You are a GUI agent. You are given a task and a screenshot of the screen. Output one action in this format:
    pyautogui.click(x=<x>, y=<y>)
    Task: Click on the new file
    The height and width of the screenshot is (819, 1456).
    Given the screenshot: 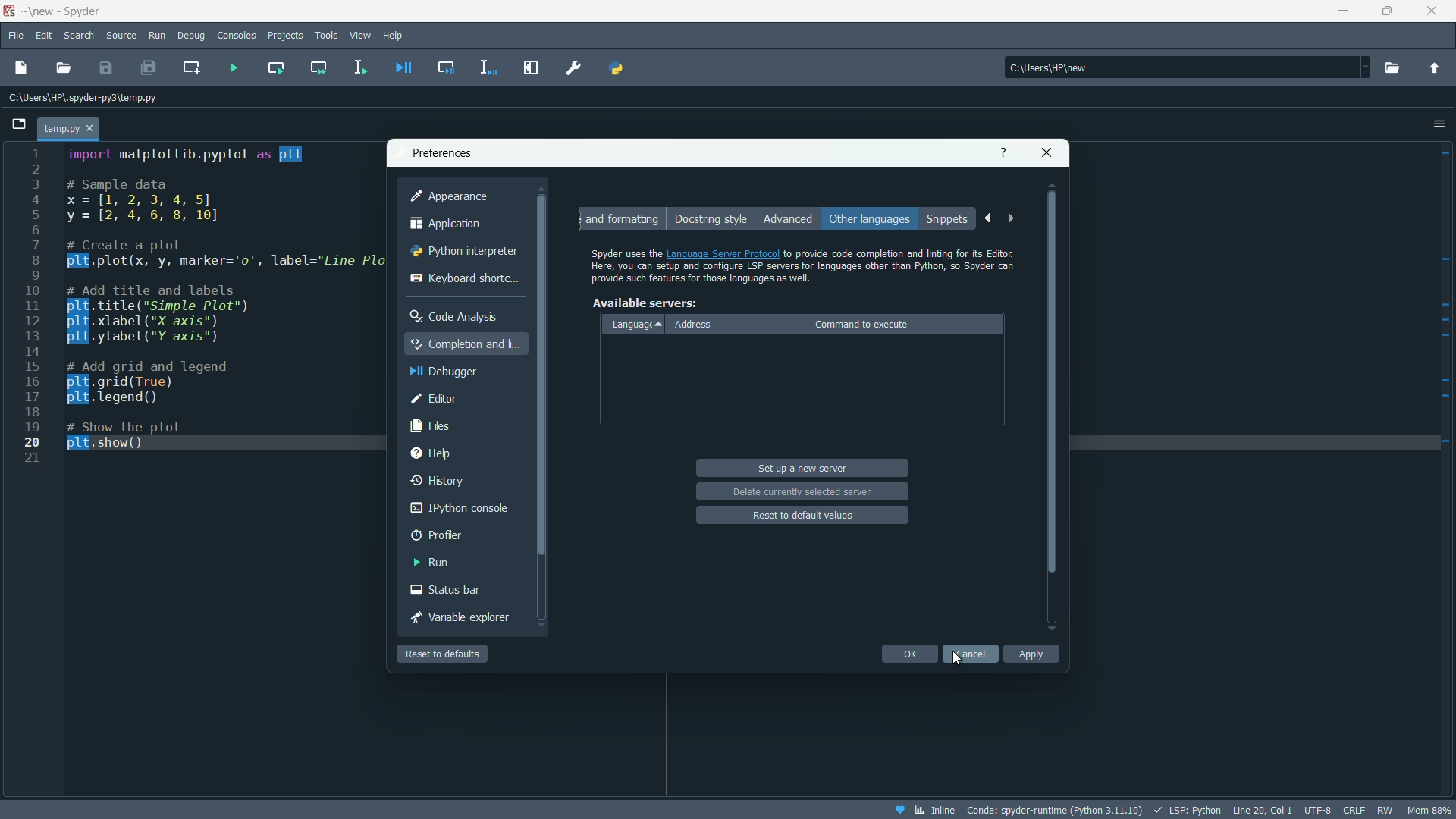 What is the action you would take?
    pyautogui.click(x=20, y=67)
    